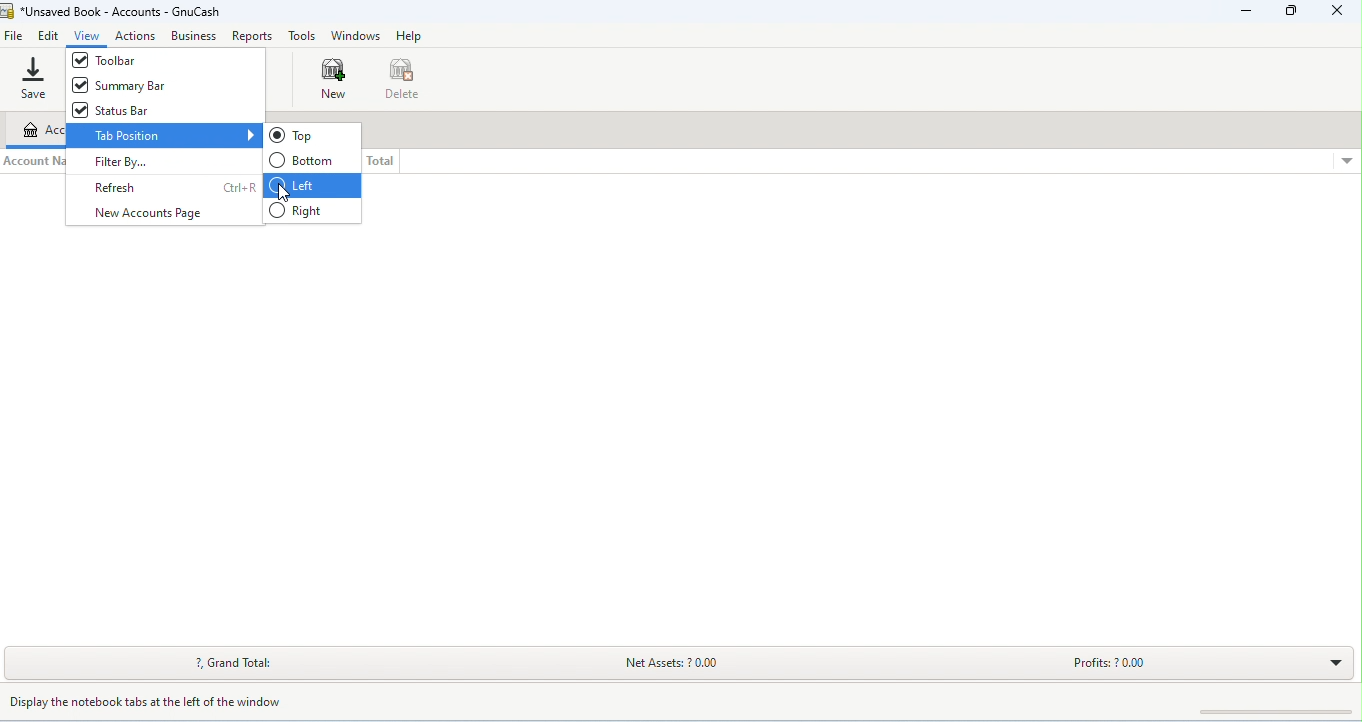 This screenshot has width=1362, height=722. I want to click on windows, so click(357, 36).